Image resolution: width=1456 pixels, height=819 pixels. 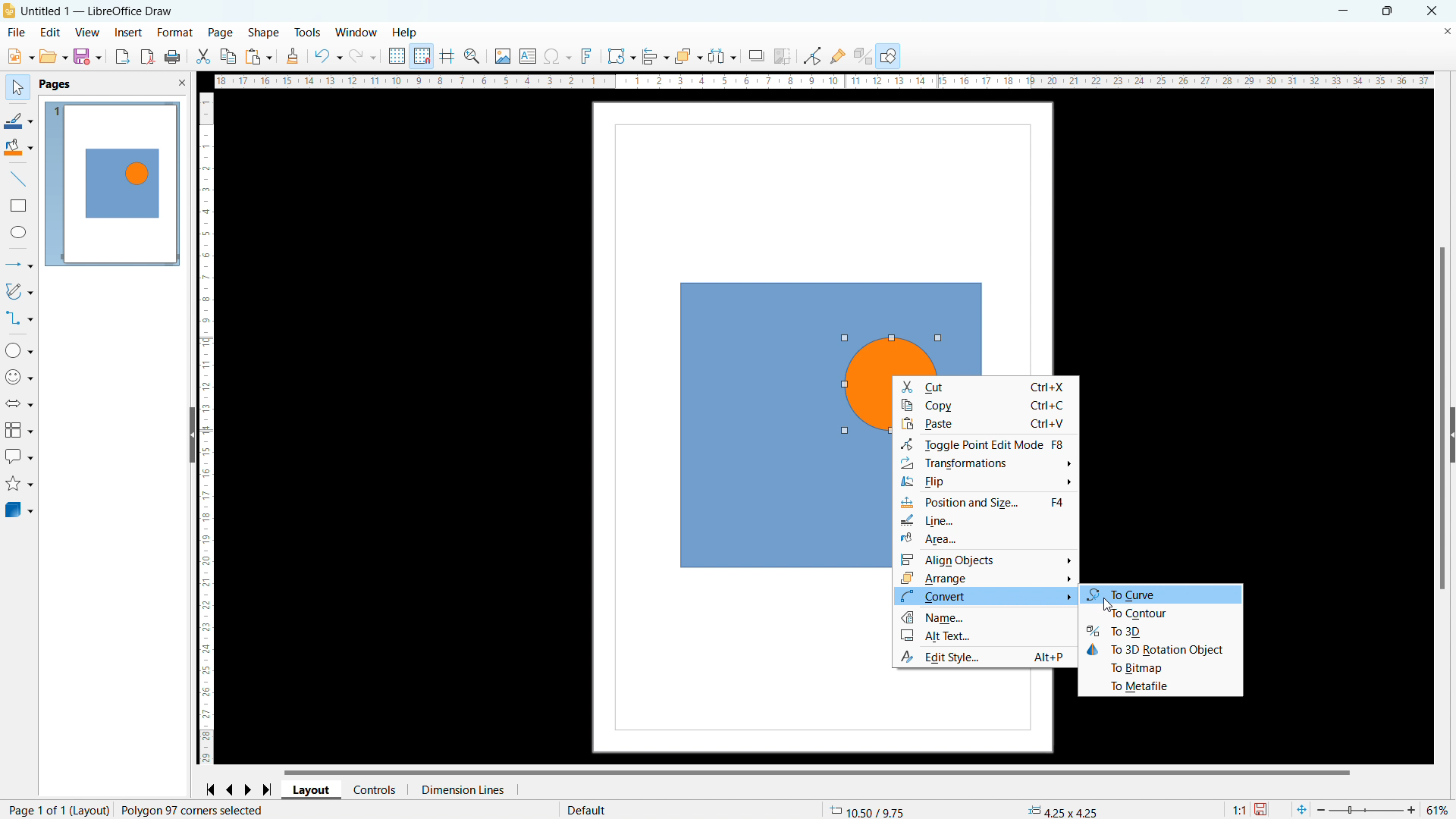 What do you see at coordinates (56, 84) in the screenshot?
I see `pages` at bounding box center [56, 84].